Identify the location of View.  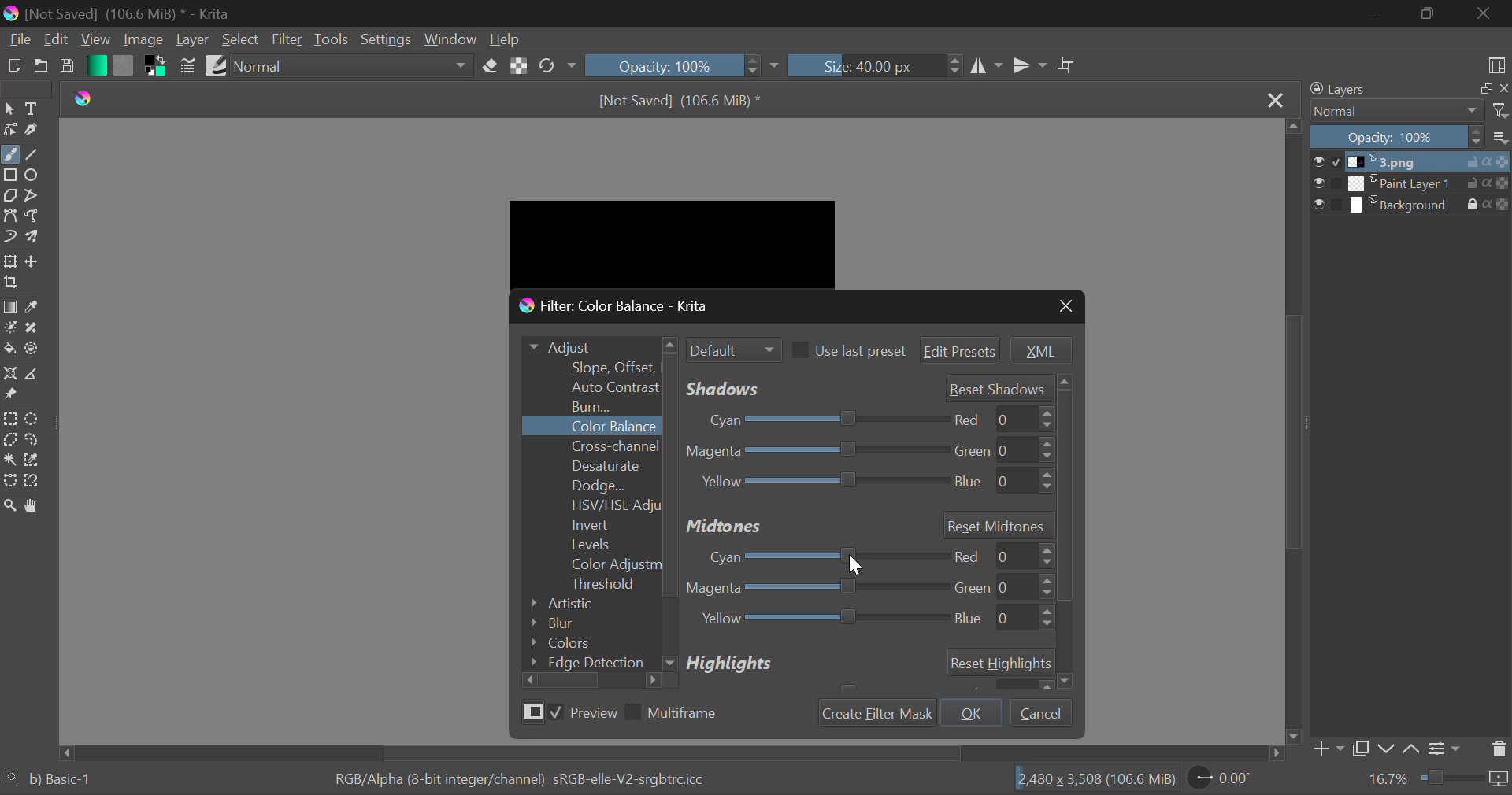
(95, 41).